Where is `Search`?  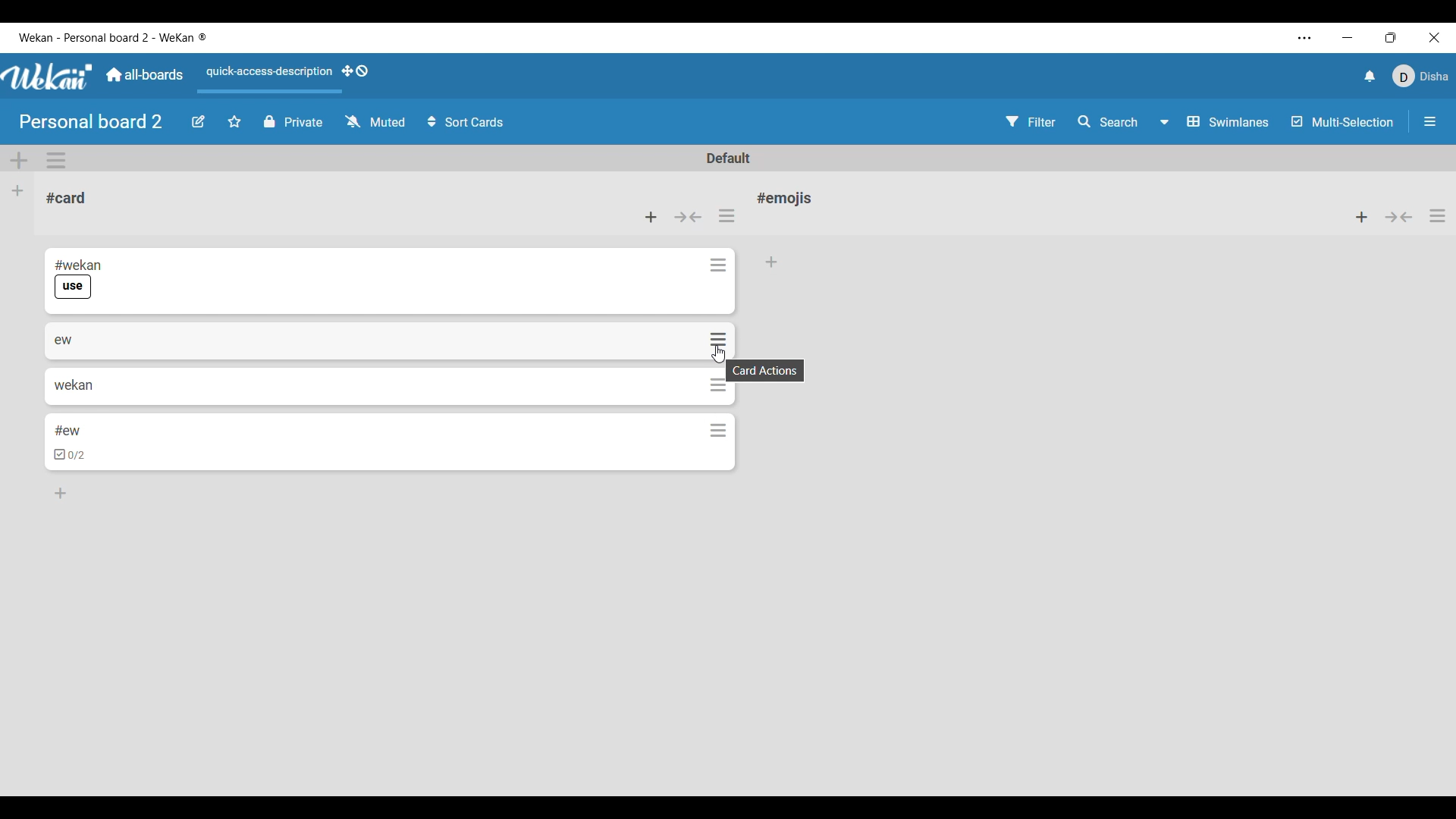 Search is located at coordinates (1106, 121).